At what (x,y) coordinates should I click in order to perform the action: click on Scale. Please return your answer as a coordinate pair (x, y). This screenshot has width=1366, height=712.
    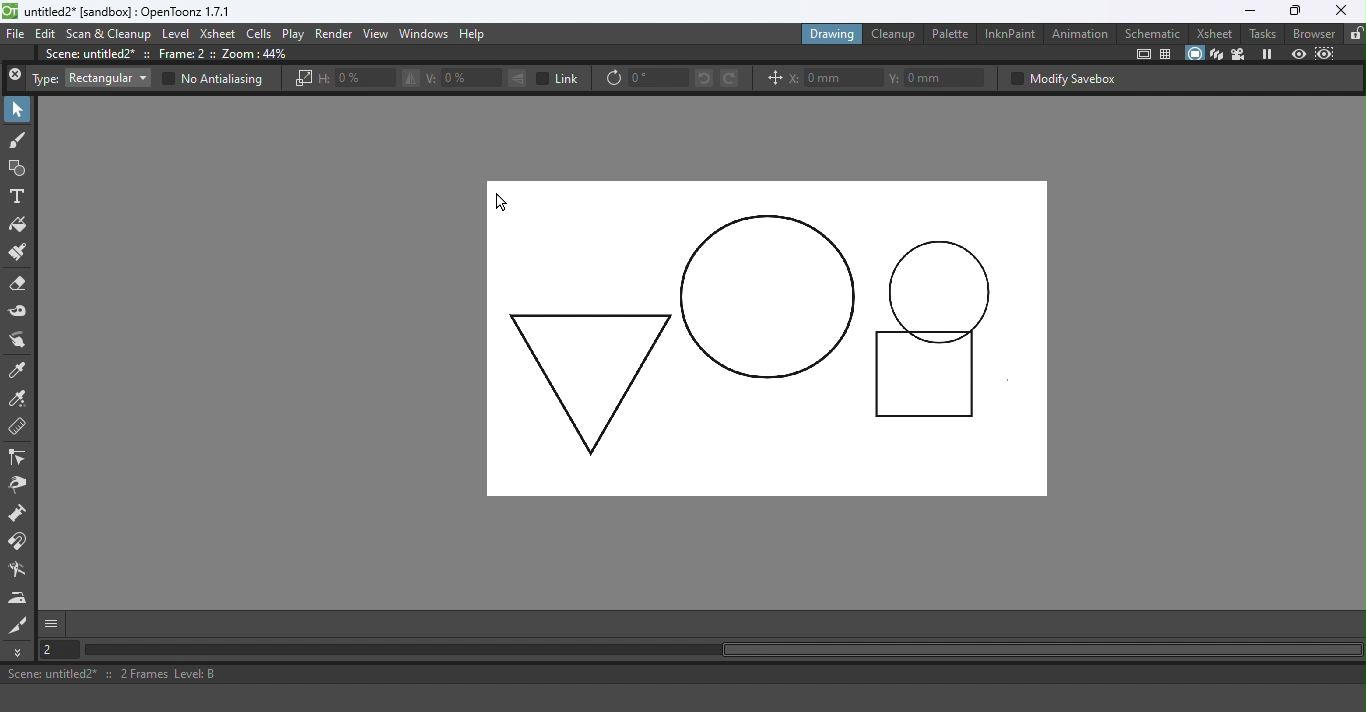
    Looking at the image, I should click on (302, 79).